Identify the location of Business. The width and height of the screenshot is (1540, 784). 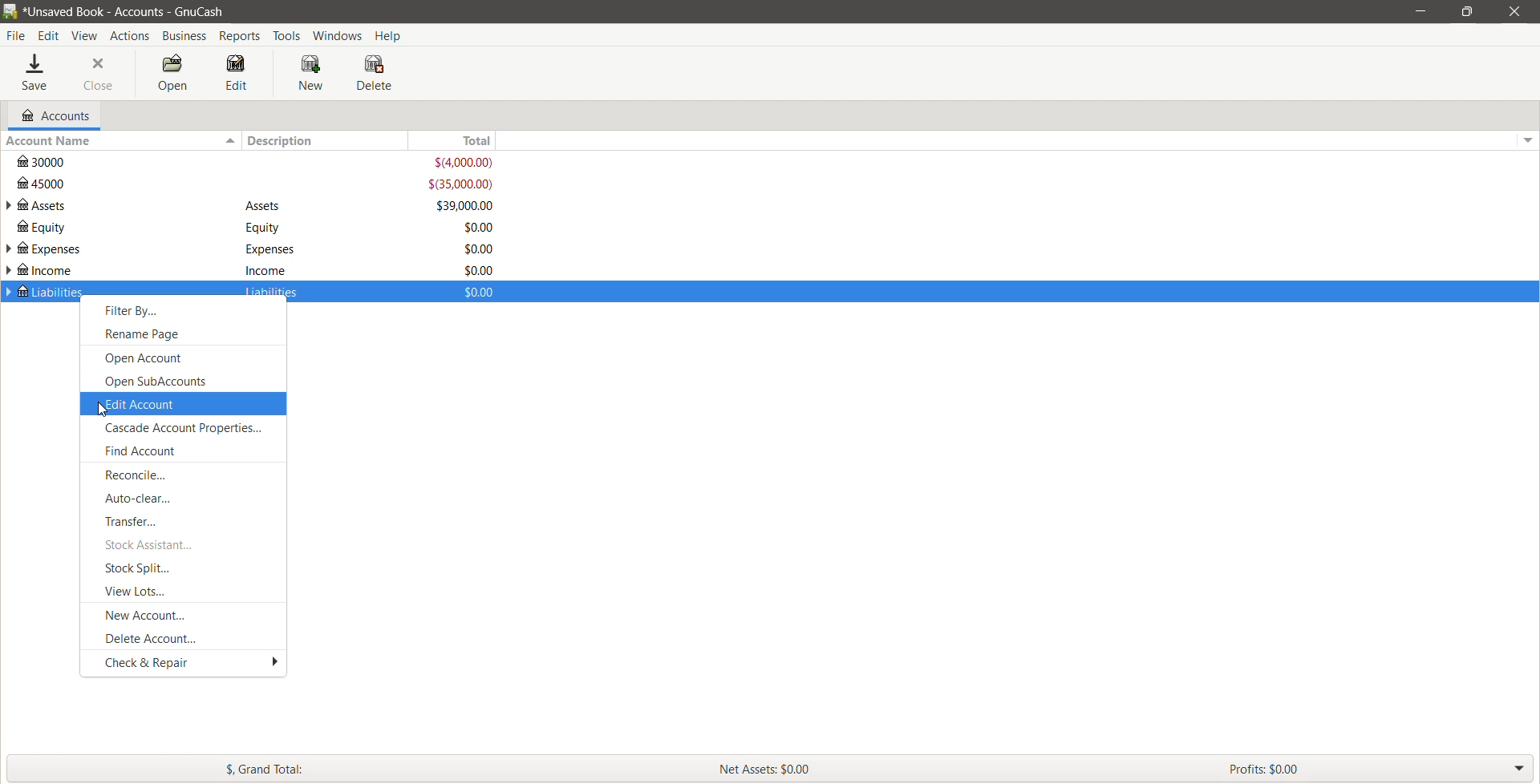
(184, 36).